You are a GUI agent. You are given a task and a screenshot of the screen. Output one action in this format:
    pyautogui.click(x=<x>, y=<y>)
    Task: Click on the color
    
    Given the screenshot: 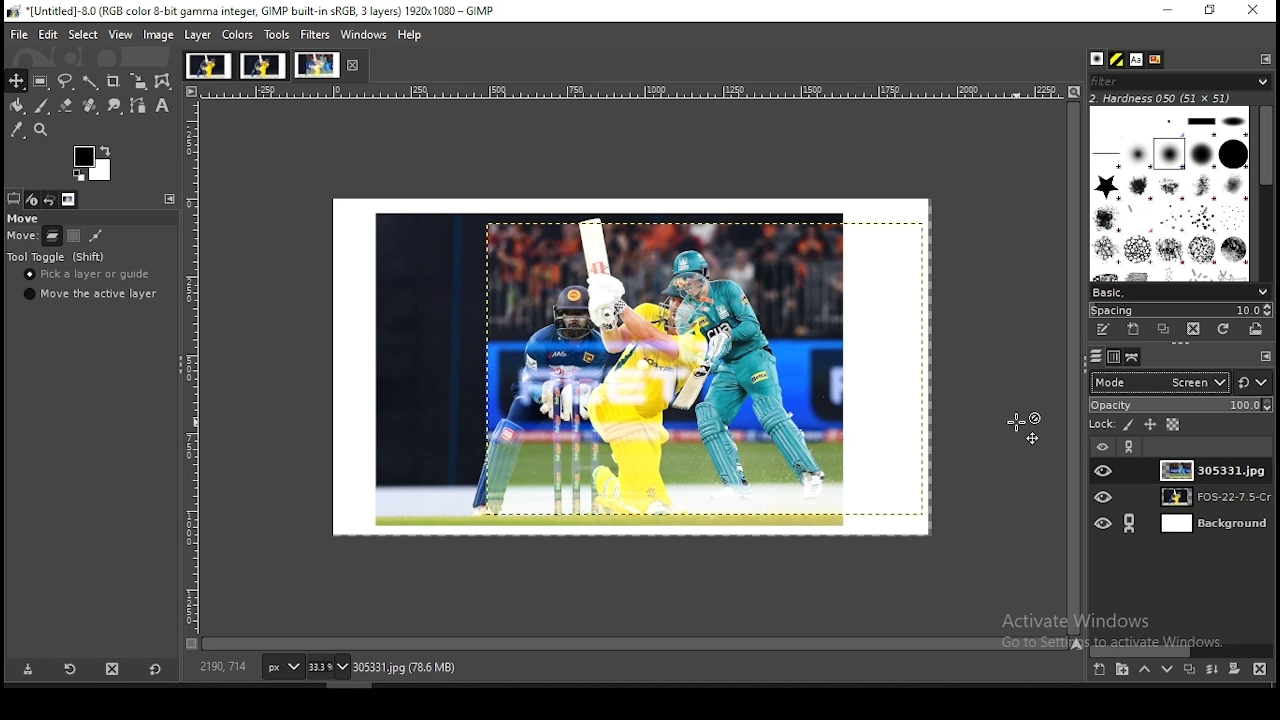 What is the action you would take?
    pyautogui.click(x=91, y=162)
    